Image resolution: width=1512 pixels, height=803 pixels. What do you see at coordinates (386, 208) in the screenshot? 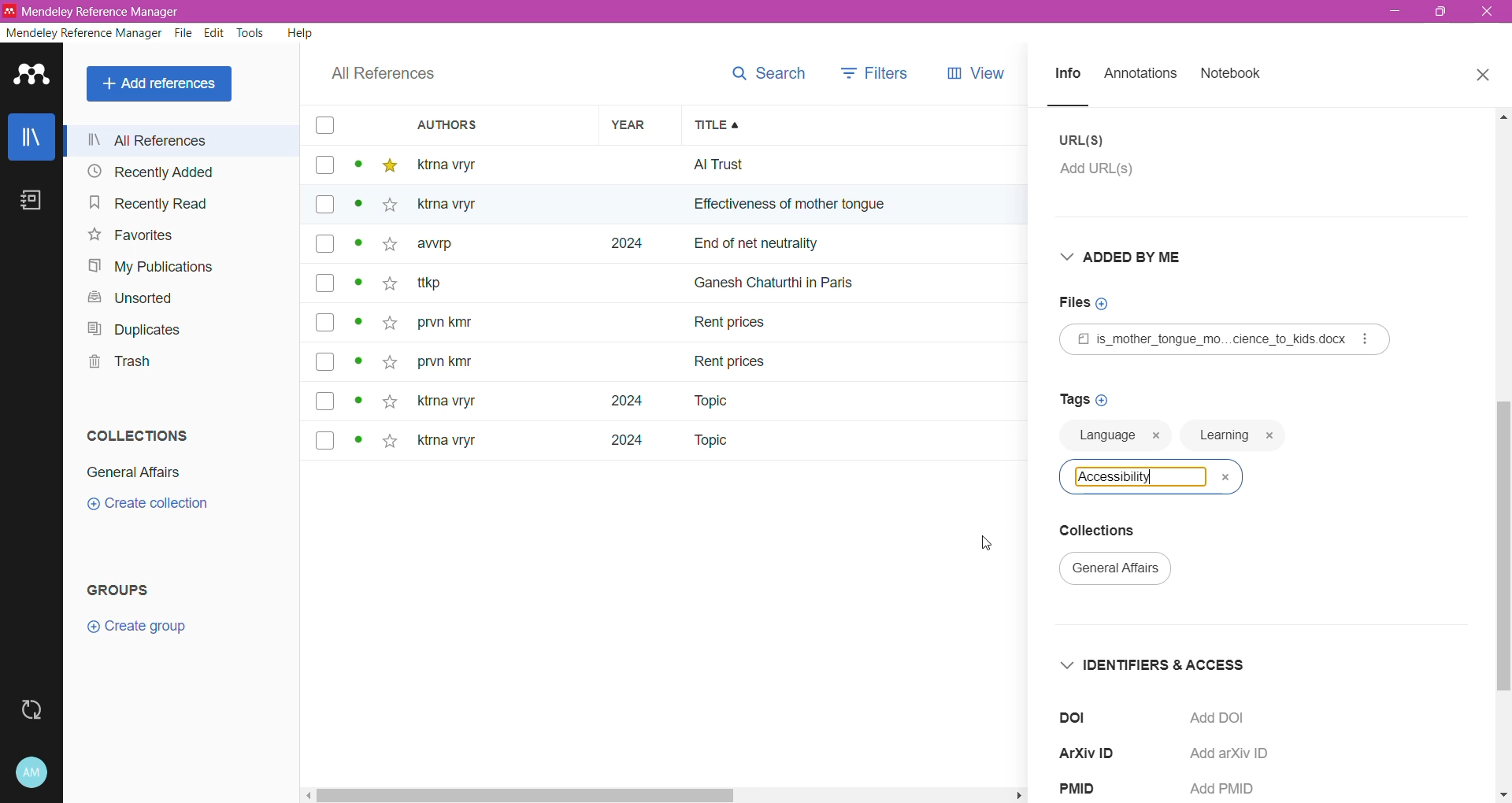
I see `star` at bounding box center [386, 208].